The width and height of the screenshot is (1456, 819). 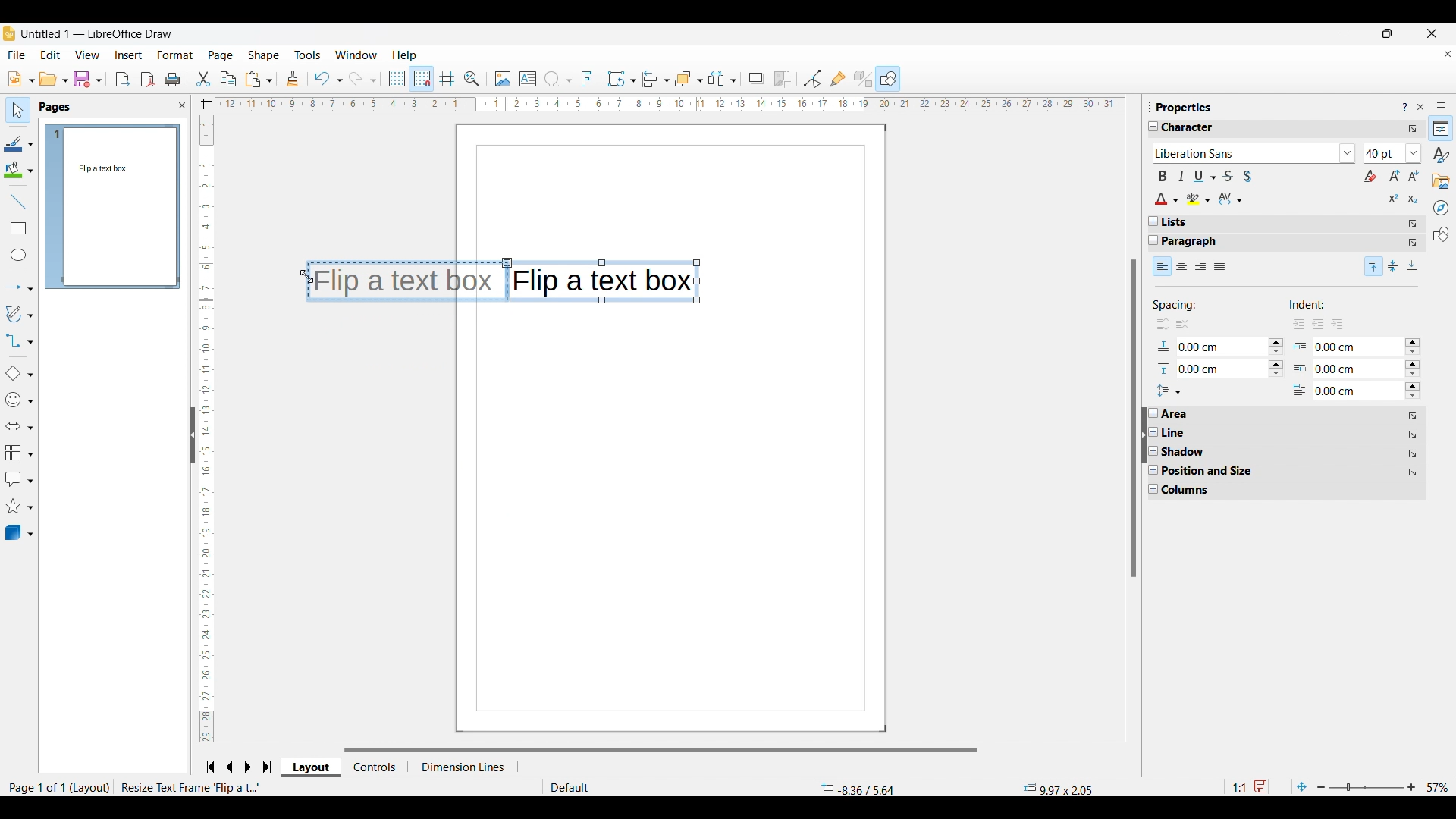 I want to click on Print, so click(x=173, y=80).